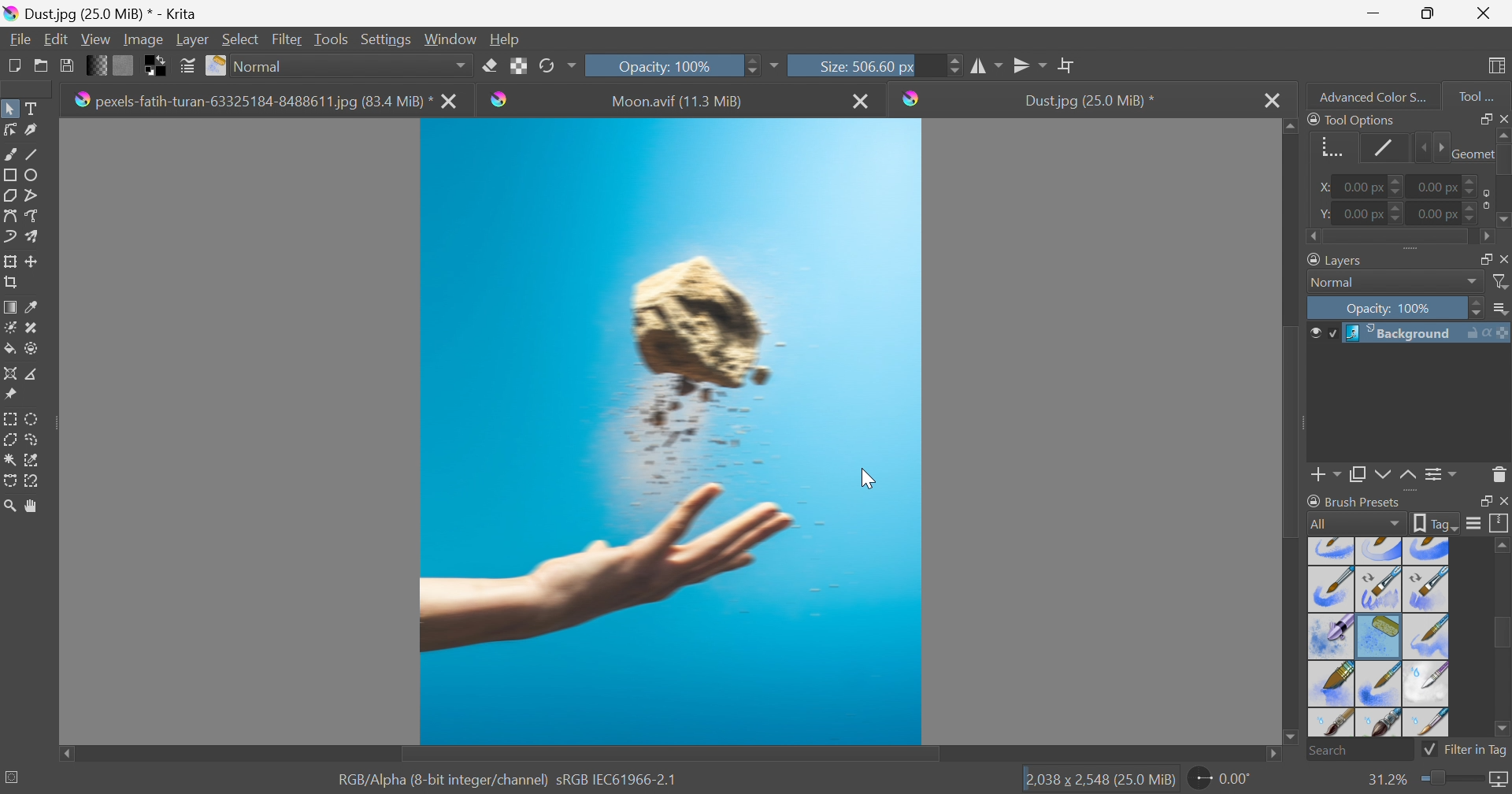 This screenshot has height=794, width=1512. Describe the element at coordinates (1498, 781) in the screenshot. I see `Map the displayed canvas size between pixel size or print size` at that location.